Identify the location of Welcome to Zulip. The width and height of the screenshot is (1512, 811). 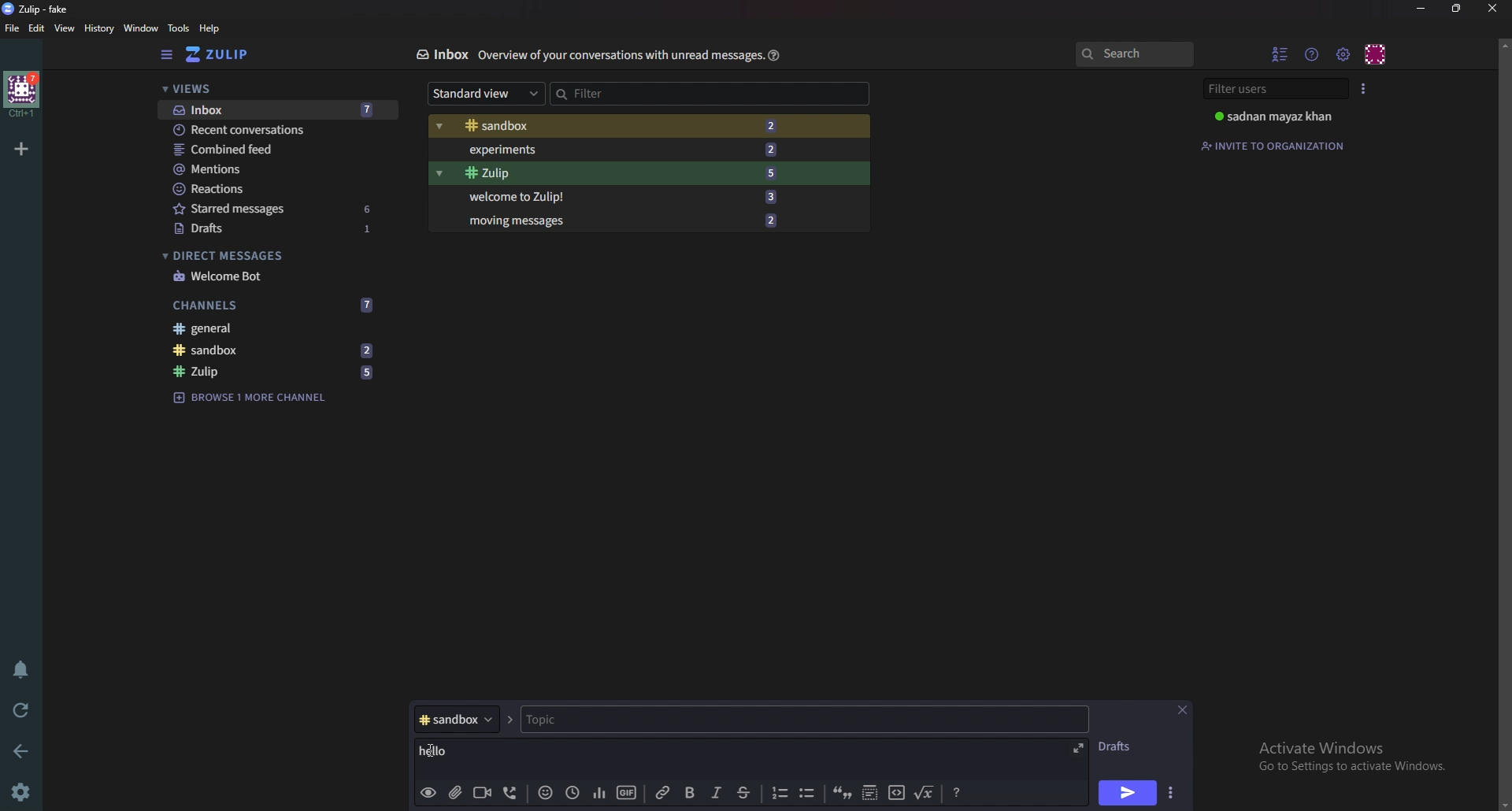
(533, 197).